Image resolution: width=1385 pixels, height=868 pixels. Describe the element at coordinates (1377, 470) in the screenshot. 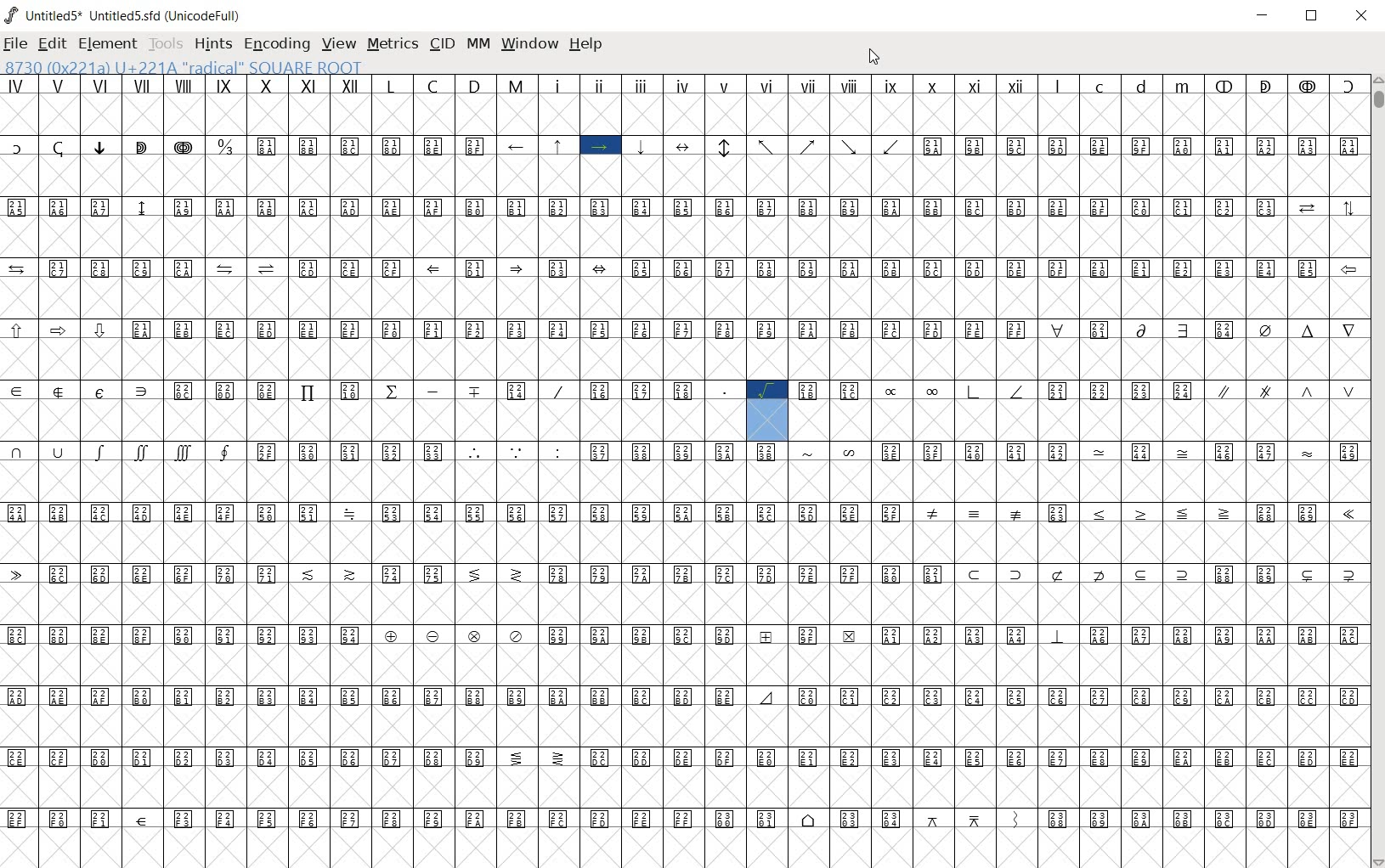

I see `SCROLLBAR` at that location.